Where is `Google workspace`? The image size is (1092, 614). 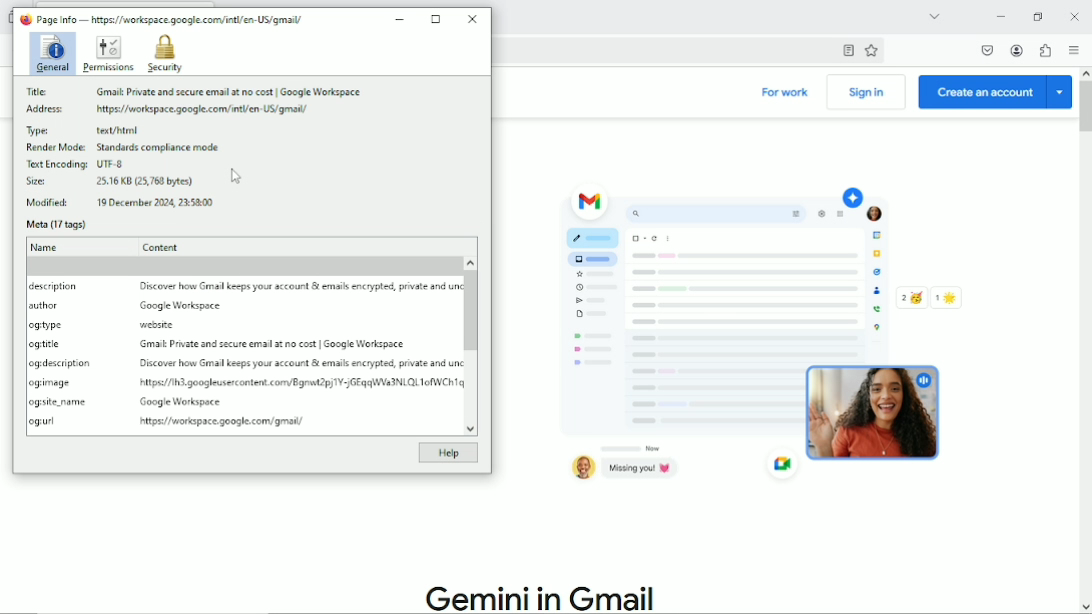
Google workspace is located at coordinates (182, 307).